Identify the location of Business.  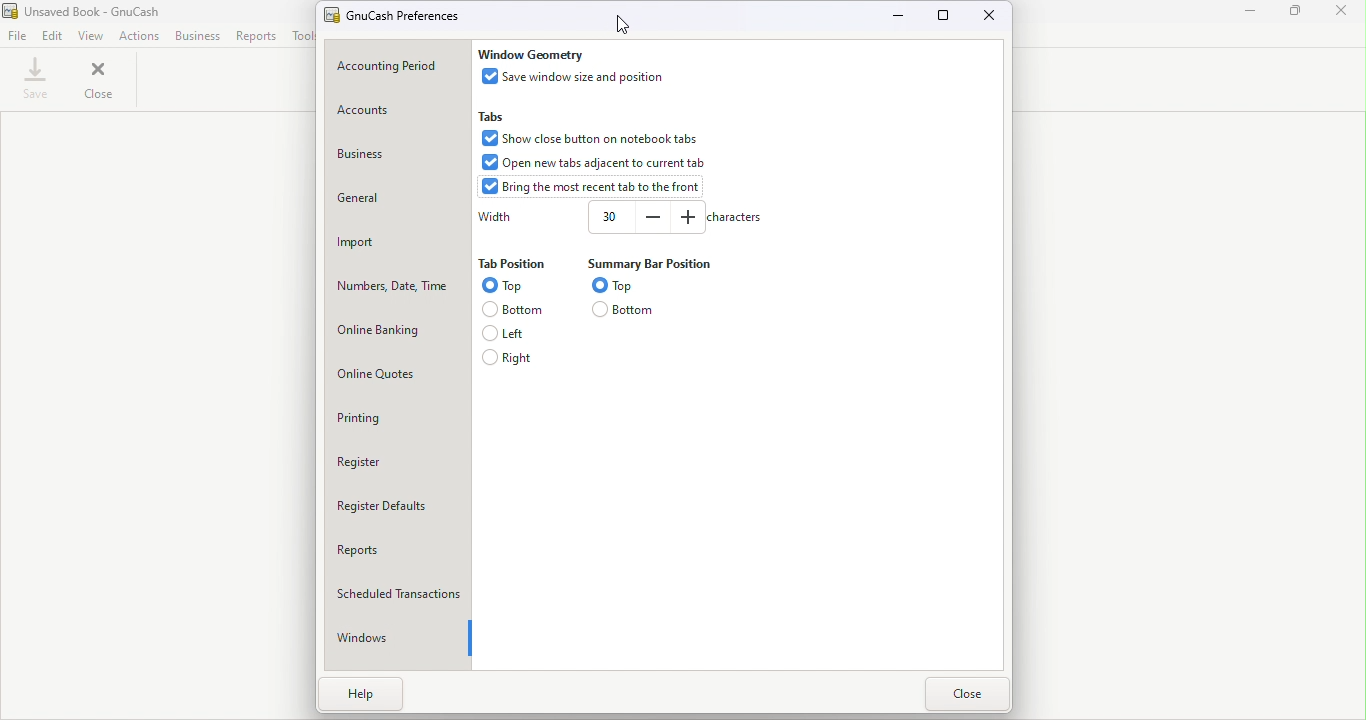
(198, 36).